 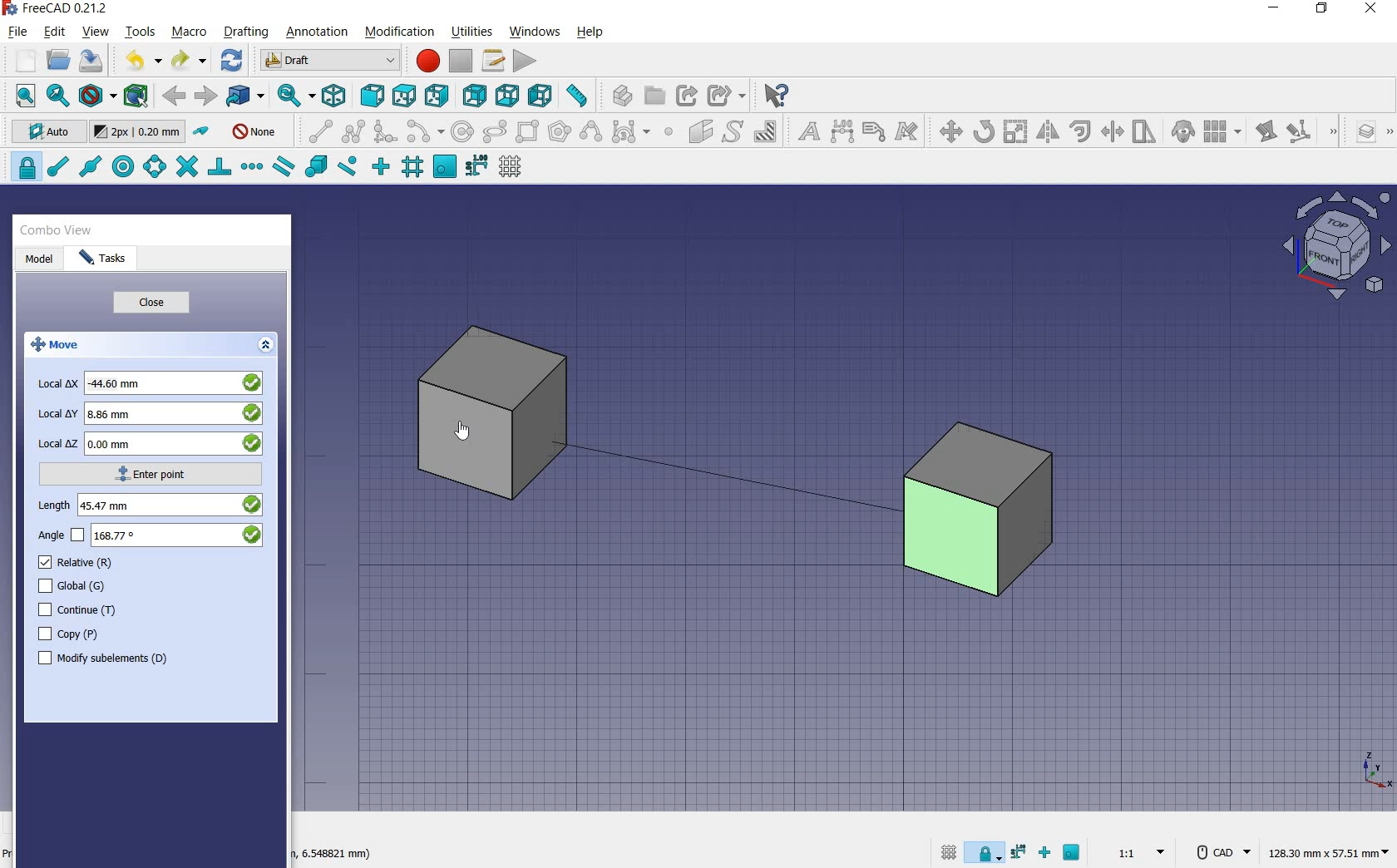 What do you see at coordinates (578, 96) in the screenshot?
I see `measure distance` at bounding box center [578, 96].